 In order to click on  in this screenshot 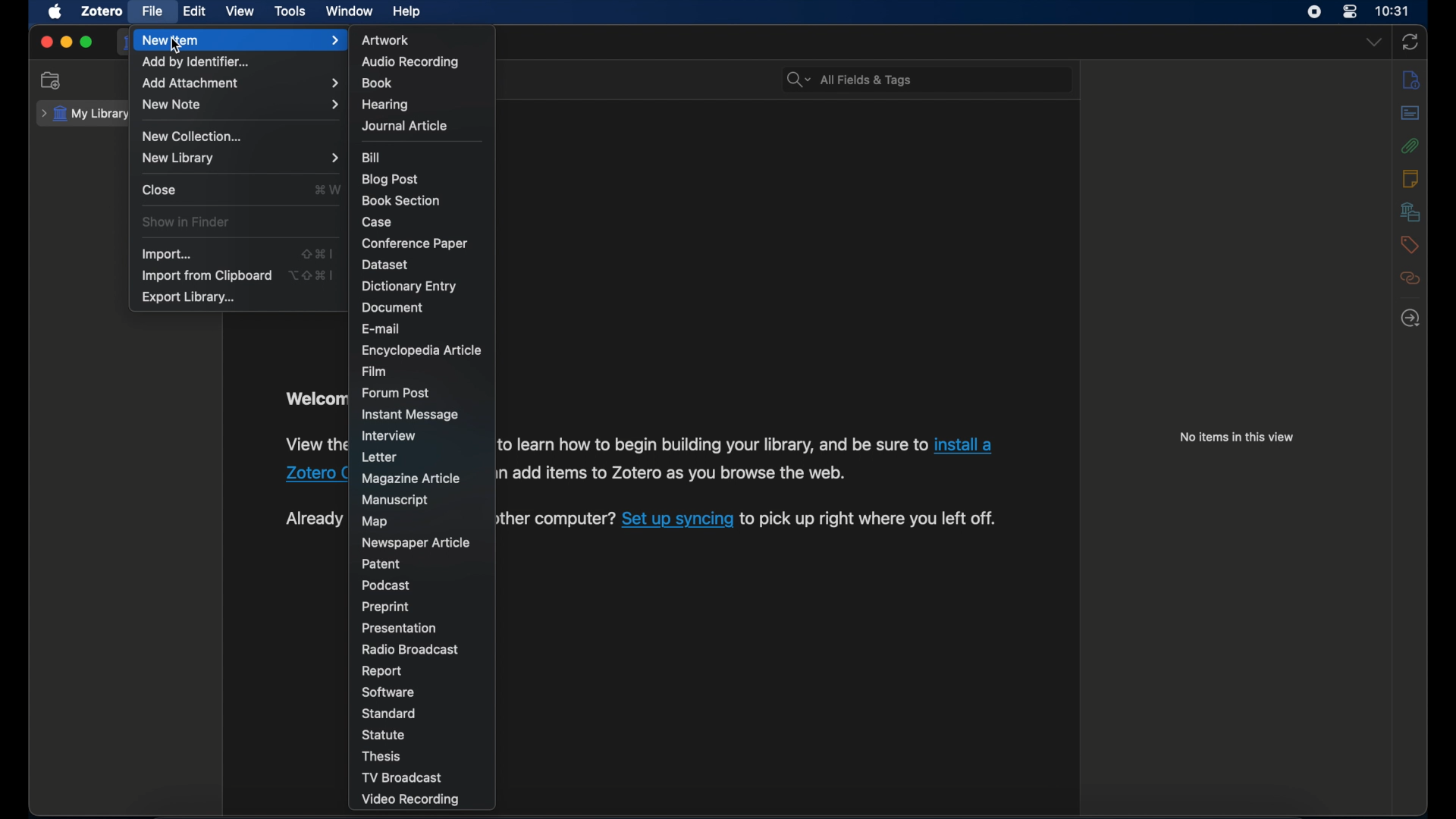, I will do `click(677, 475)`.